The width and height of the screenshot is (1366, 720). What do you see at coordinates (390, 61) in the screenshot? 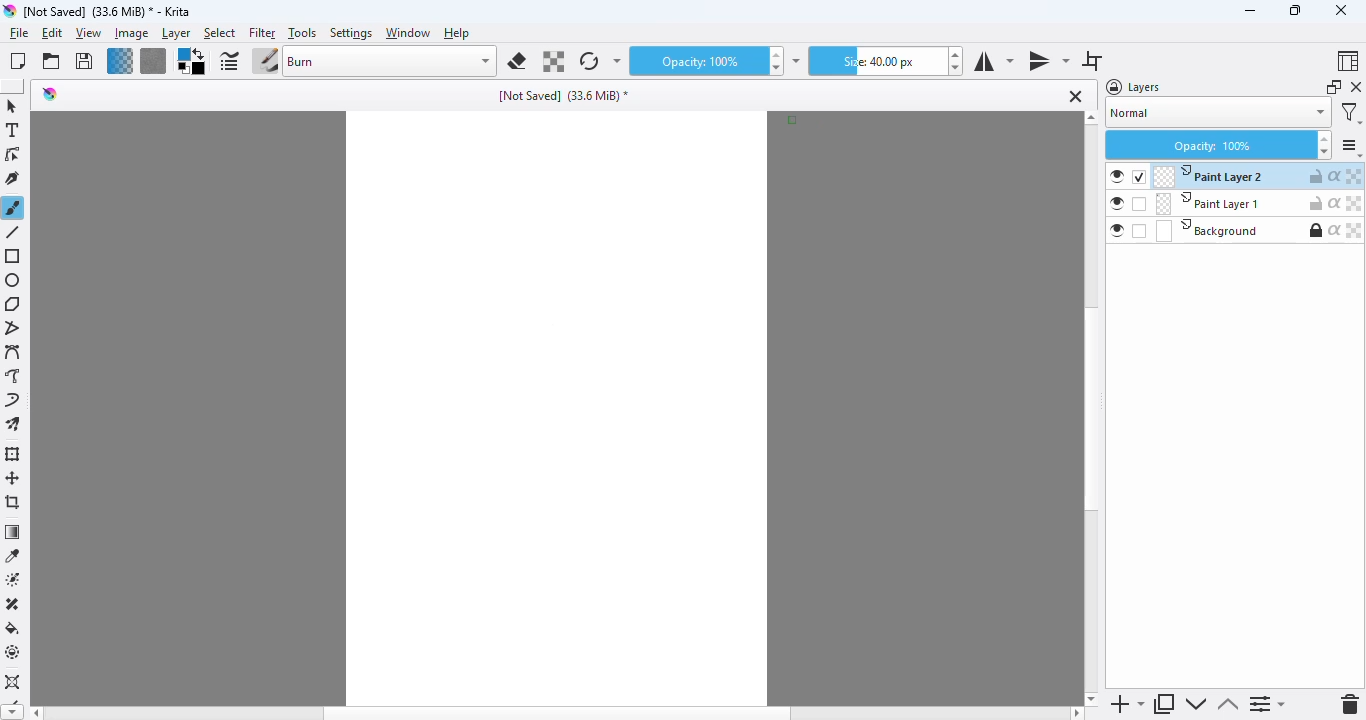
I see `blending mode` at bounding box center [390, 61].